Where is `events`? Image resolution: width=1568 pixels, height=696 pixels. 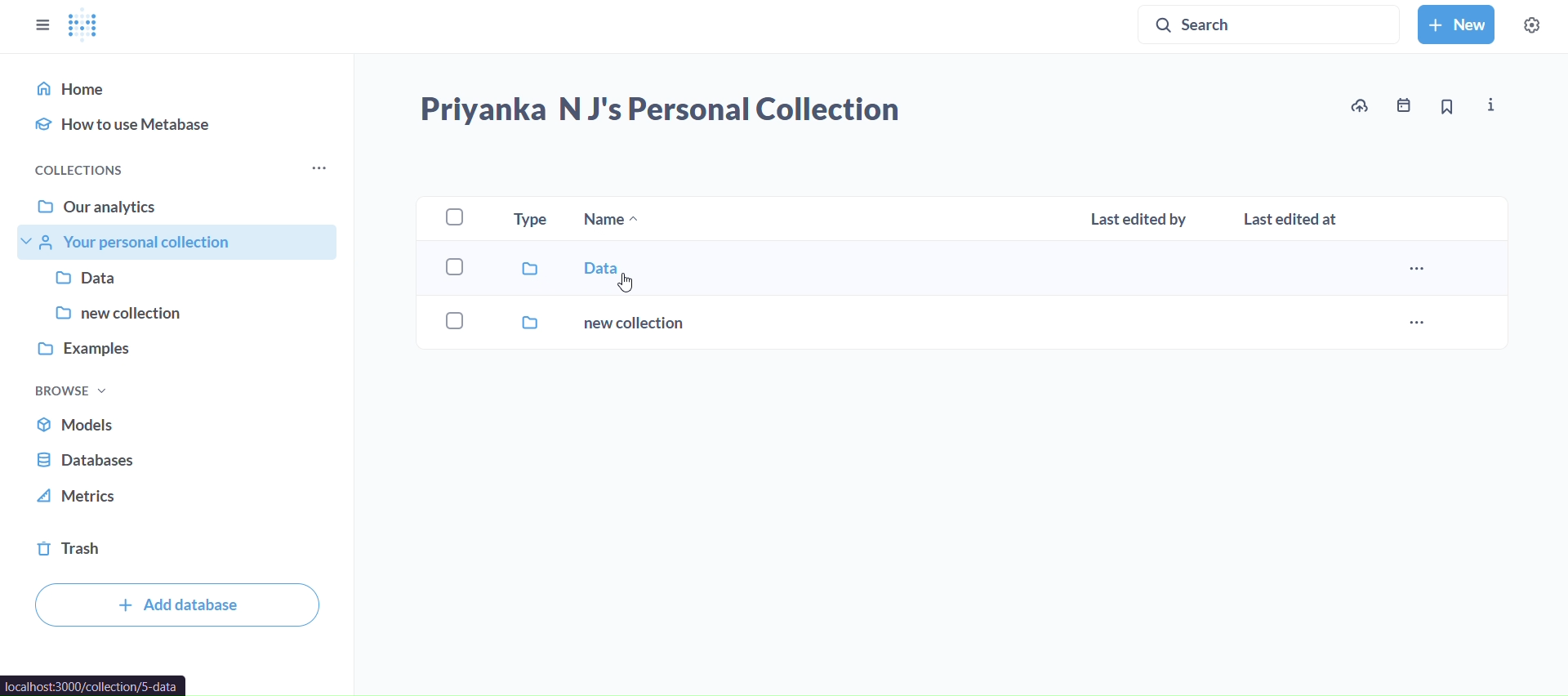 events is located at coordinates (1408, 105).